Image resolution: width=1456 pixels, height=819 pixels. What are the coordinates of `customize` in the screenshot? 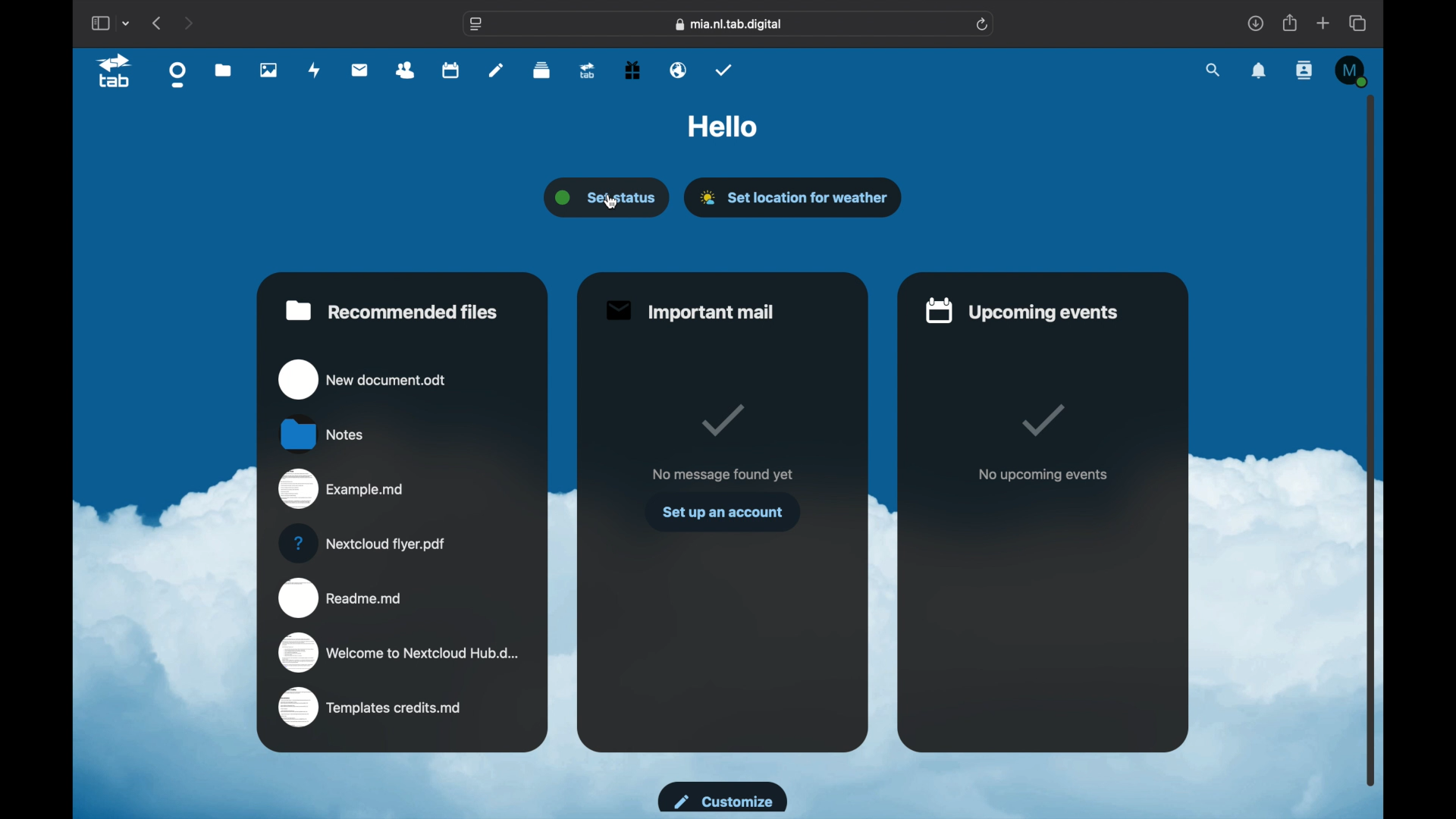 It's located at (723, 797).